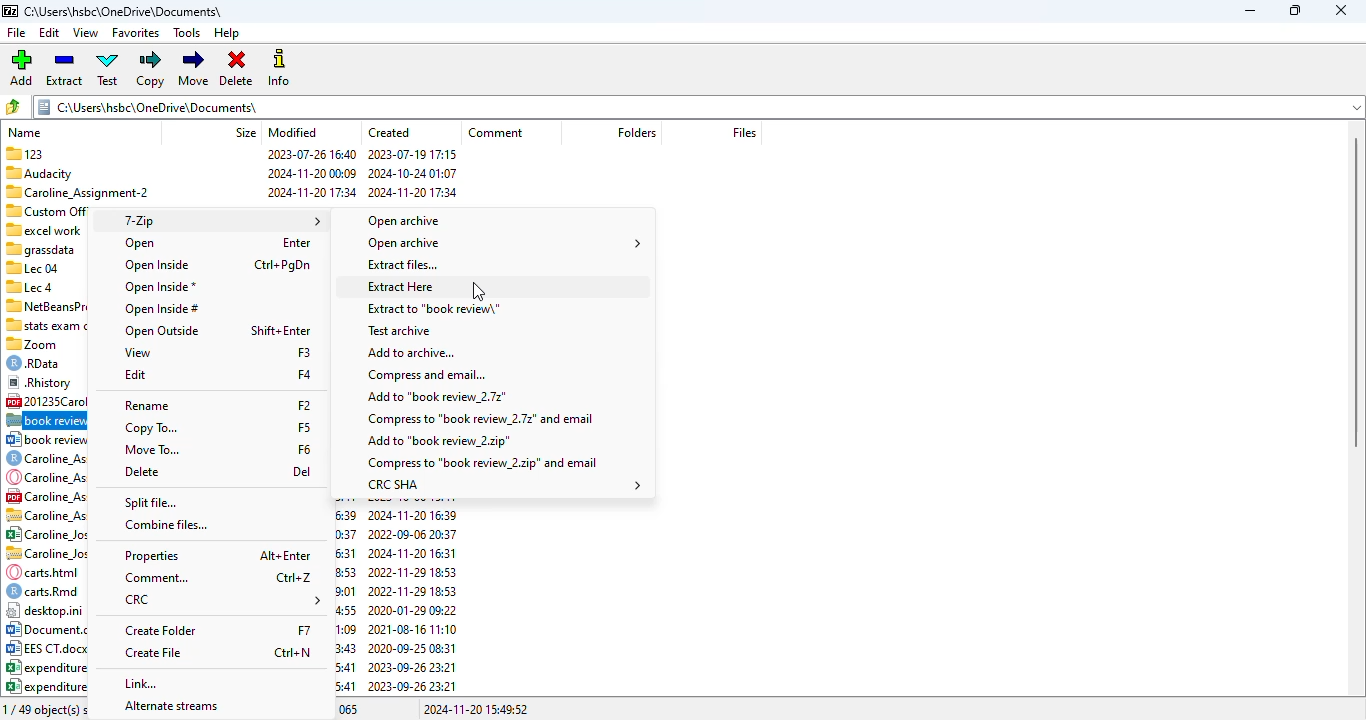  What do you see at coordinates (160, 630) in the screenshot?
I see `create folder` at bounding box center [160, 630].